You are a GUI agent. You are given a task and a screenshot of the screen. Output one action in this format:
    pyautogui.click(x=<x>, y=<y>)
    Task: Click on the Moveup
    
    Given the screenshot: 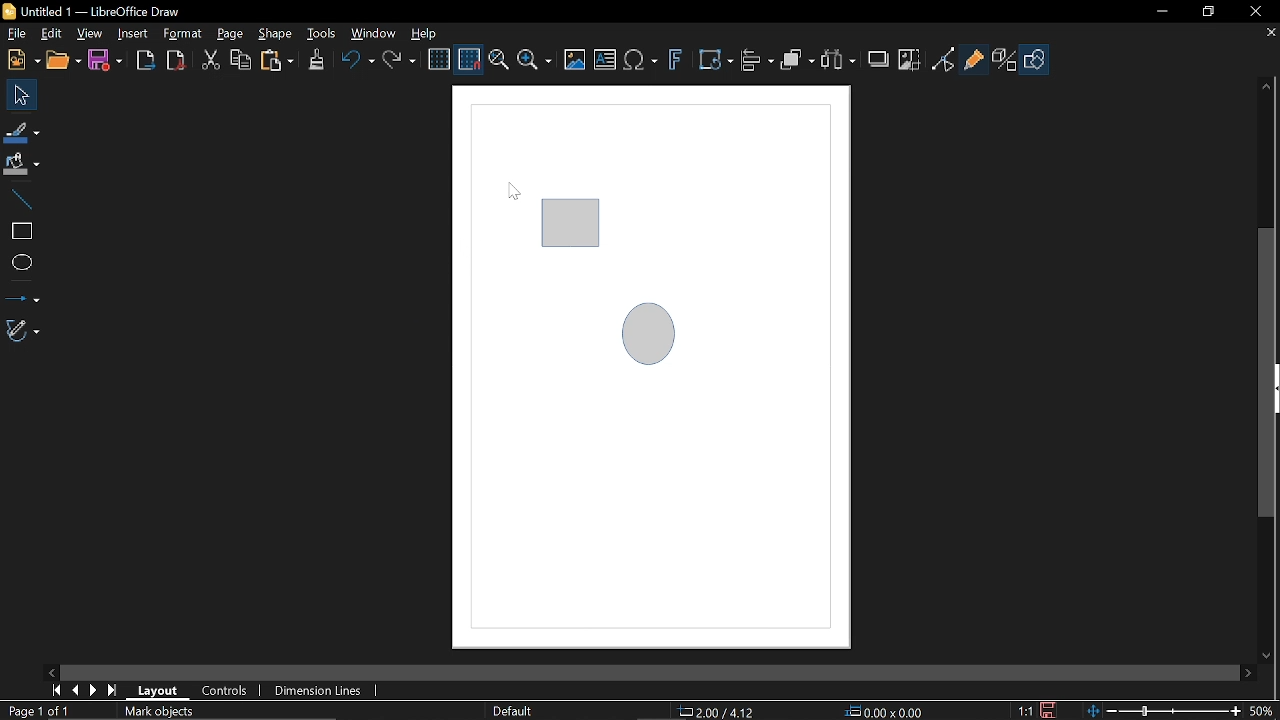 What is the action you would take?
    pyautogui.click(x=1266, y=86)
    